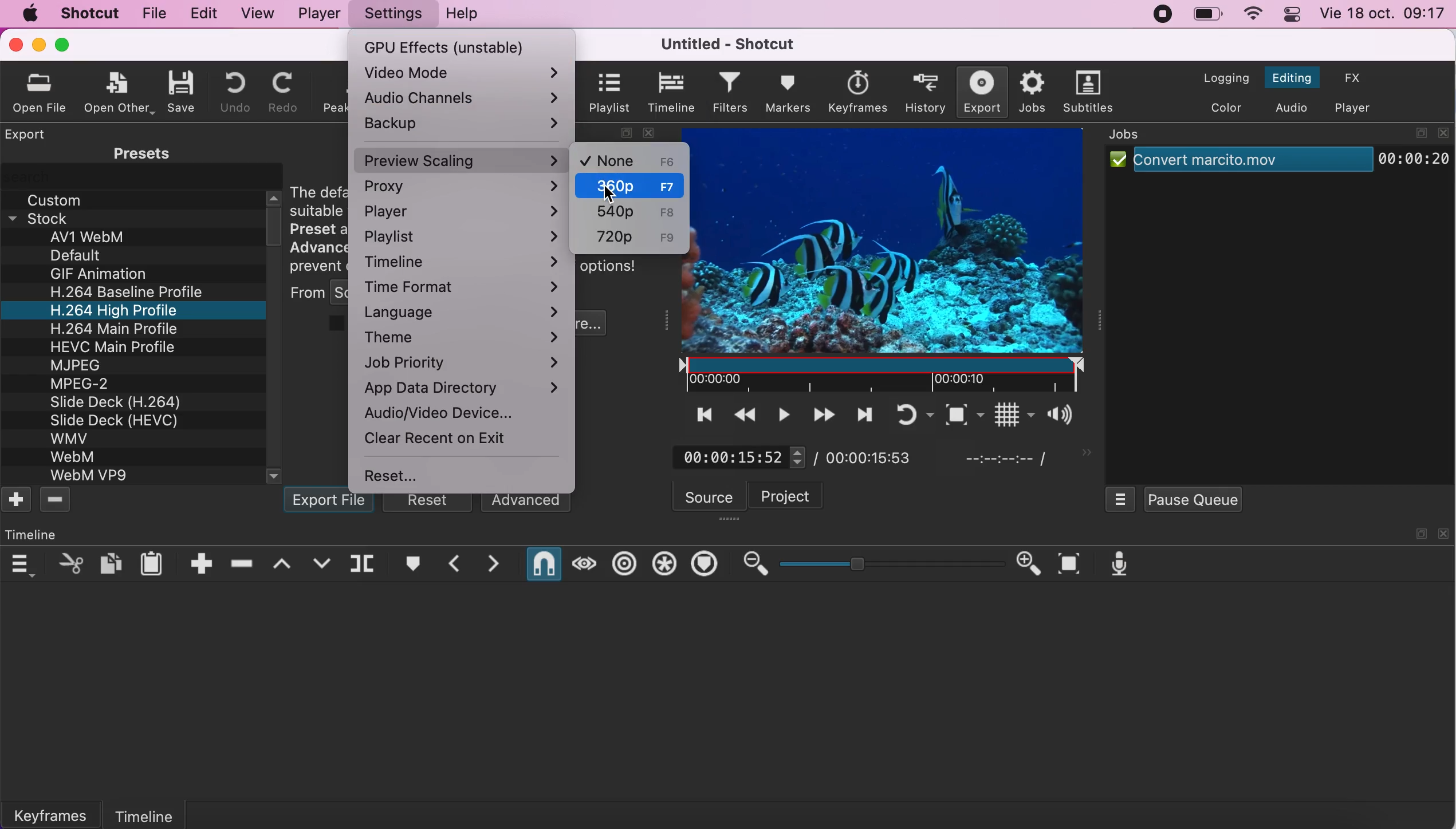 The width and height of the screenshot is (1456, 829). What do you see at coordinates (628, 236) in the screenshot?
I see `720p` at bounding box center [628, 236].